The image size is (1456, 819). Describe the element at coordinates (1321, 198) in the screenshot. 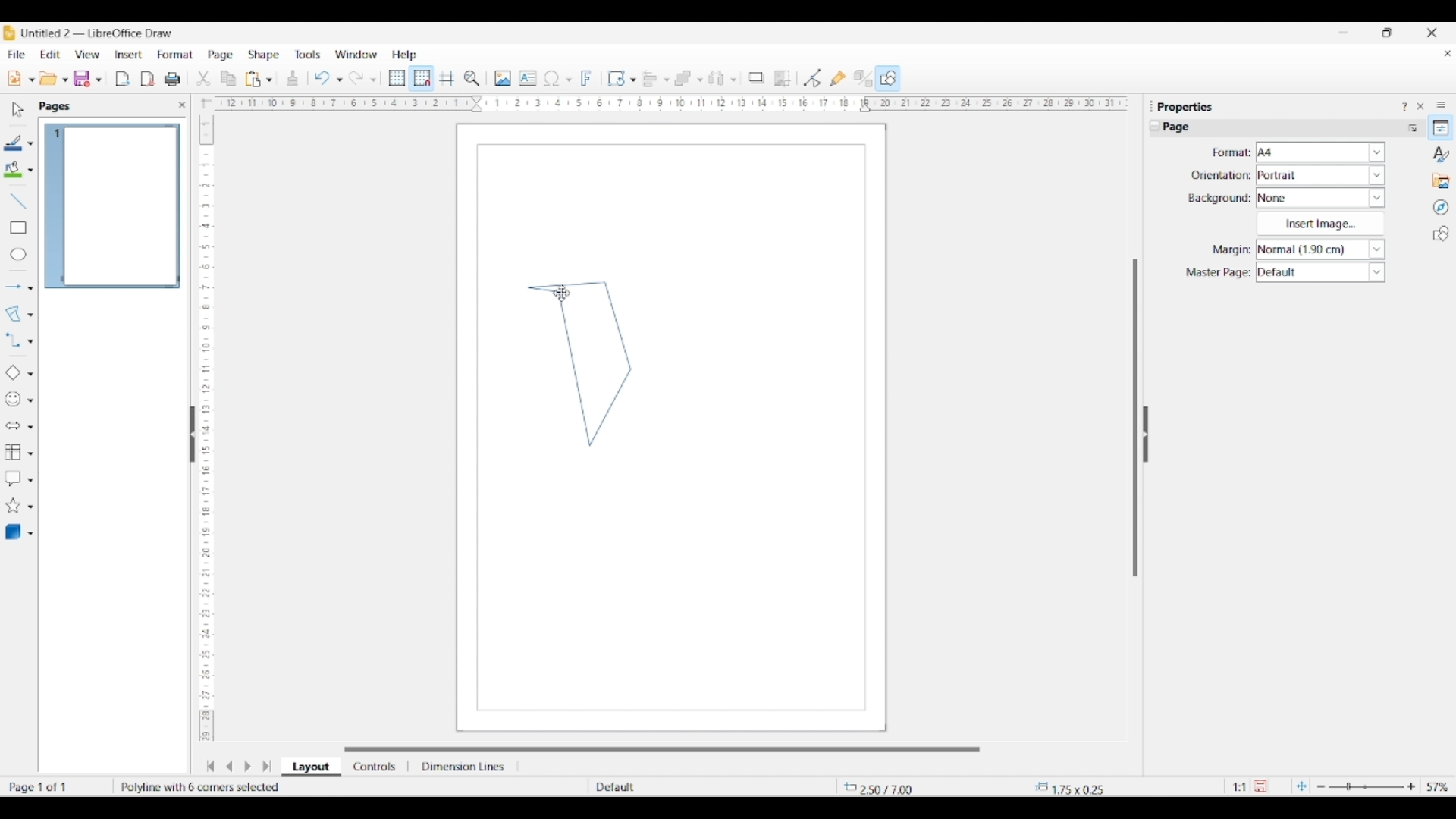

I see `Background options` at that location.